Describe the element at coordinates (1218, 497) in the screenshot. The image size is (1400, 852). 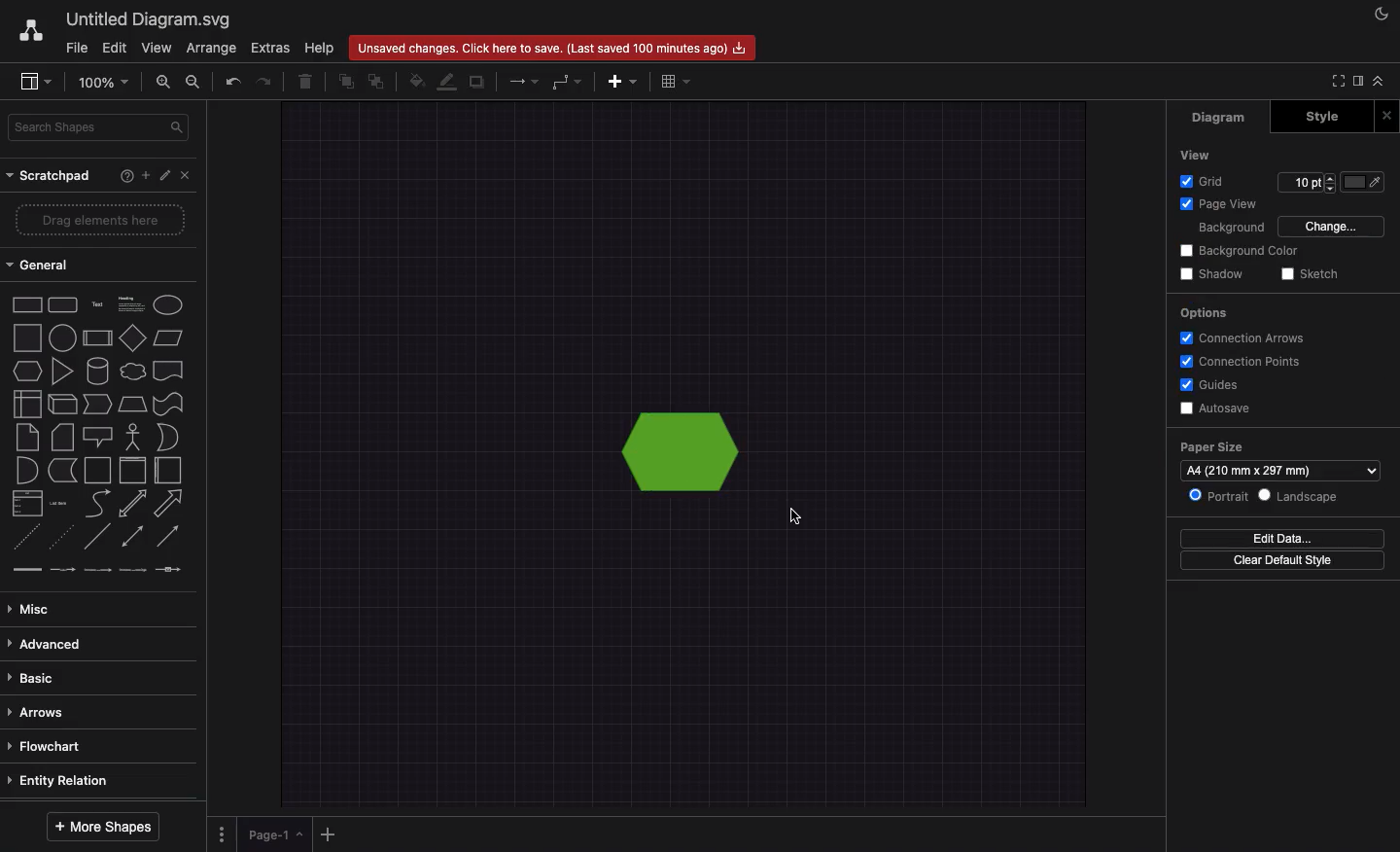
I see `Portrait` at that location.